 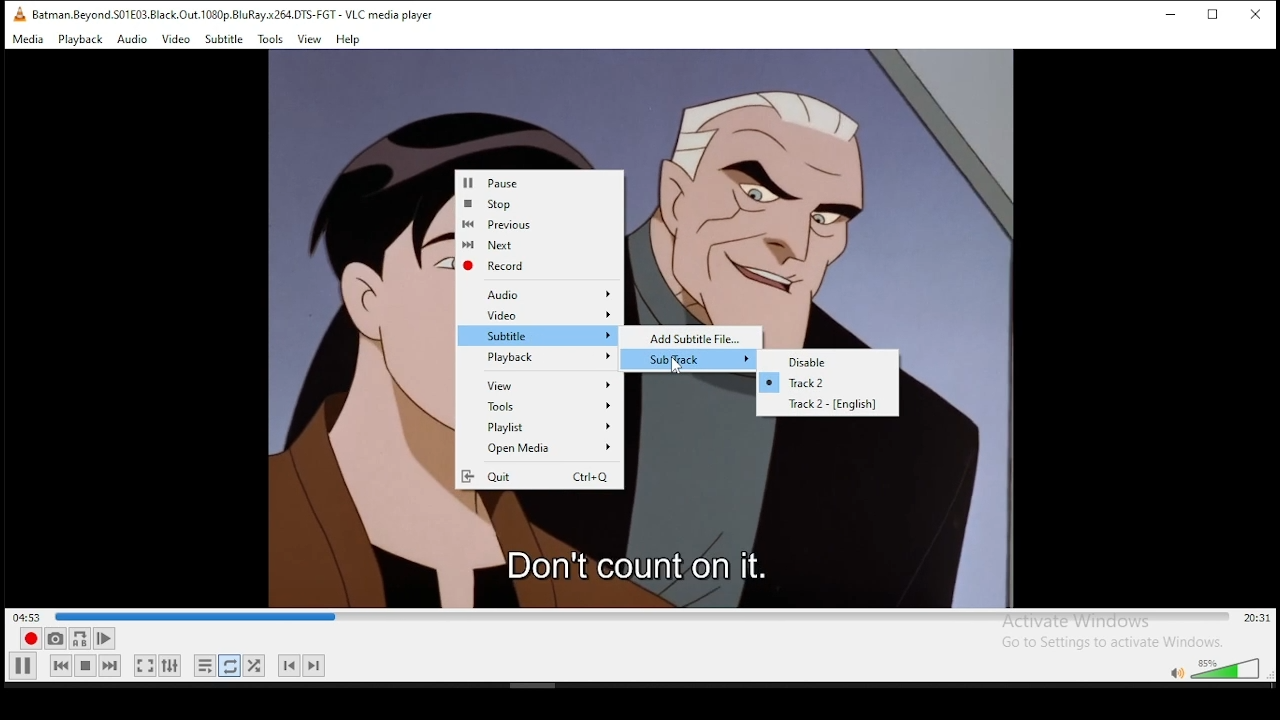 What do you see at coordinates (1255, 619) in the screenshot?
I see `20:31` at bounding box center [1255, 619].